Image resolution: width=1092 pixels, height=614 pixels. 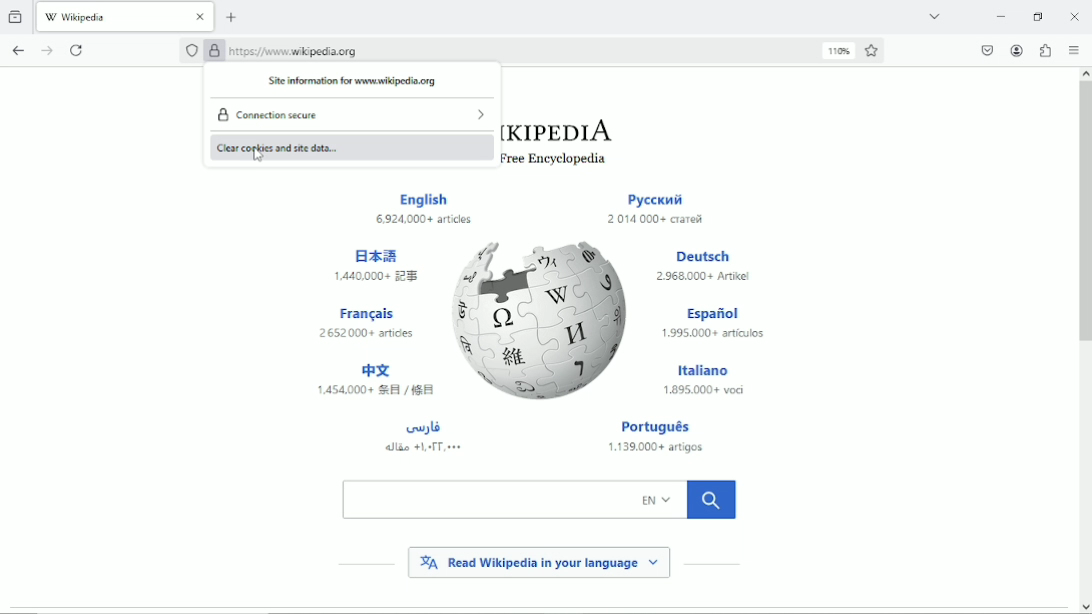 I want to click on Connection secure, so click(x=352, y=113).